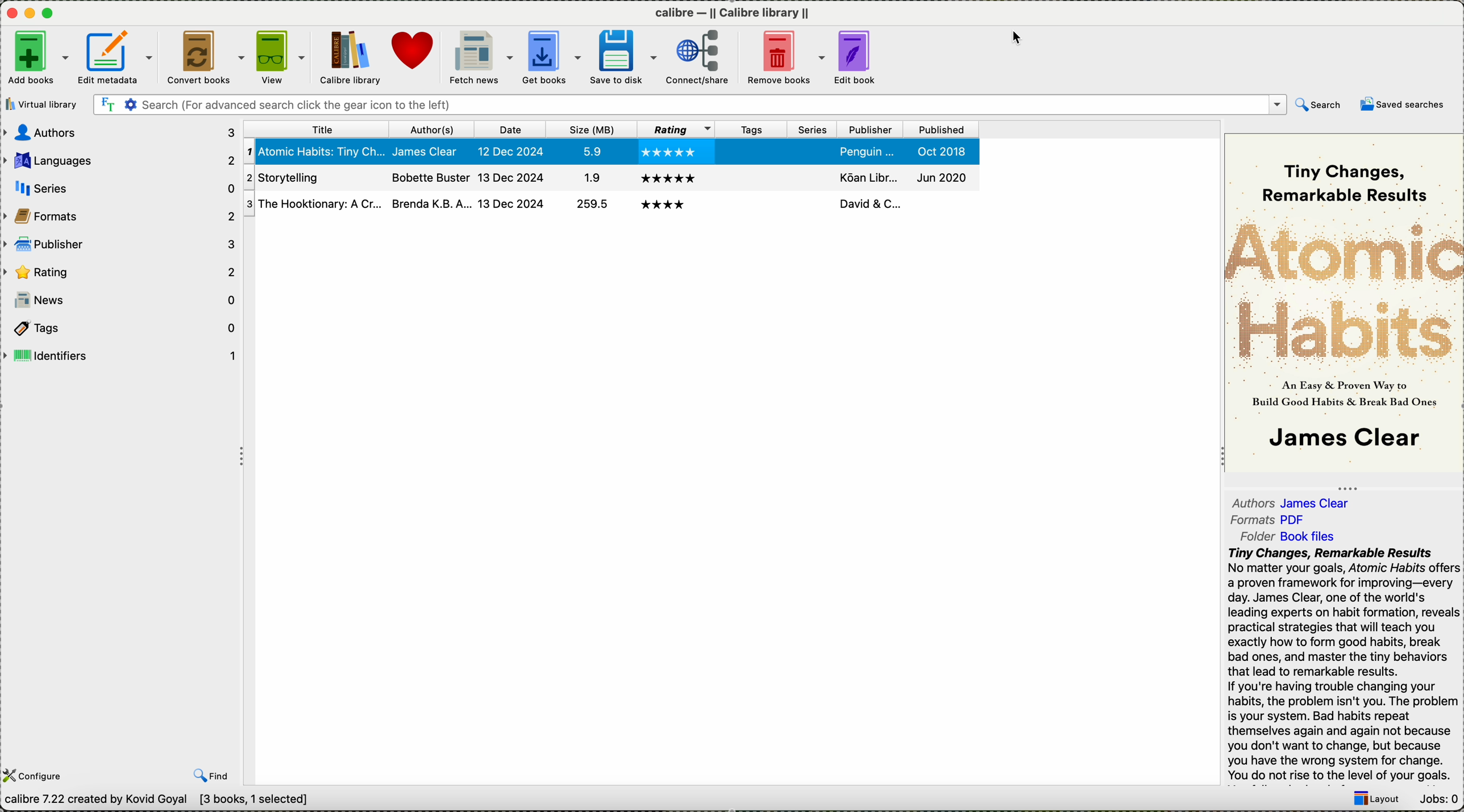 Image resolution: width=1464 pixels, height=812 pixels. What do you see at coordinates (1300, 519) in the screenshot?
I see `PDF` at bounding box center [1300, 519].